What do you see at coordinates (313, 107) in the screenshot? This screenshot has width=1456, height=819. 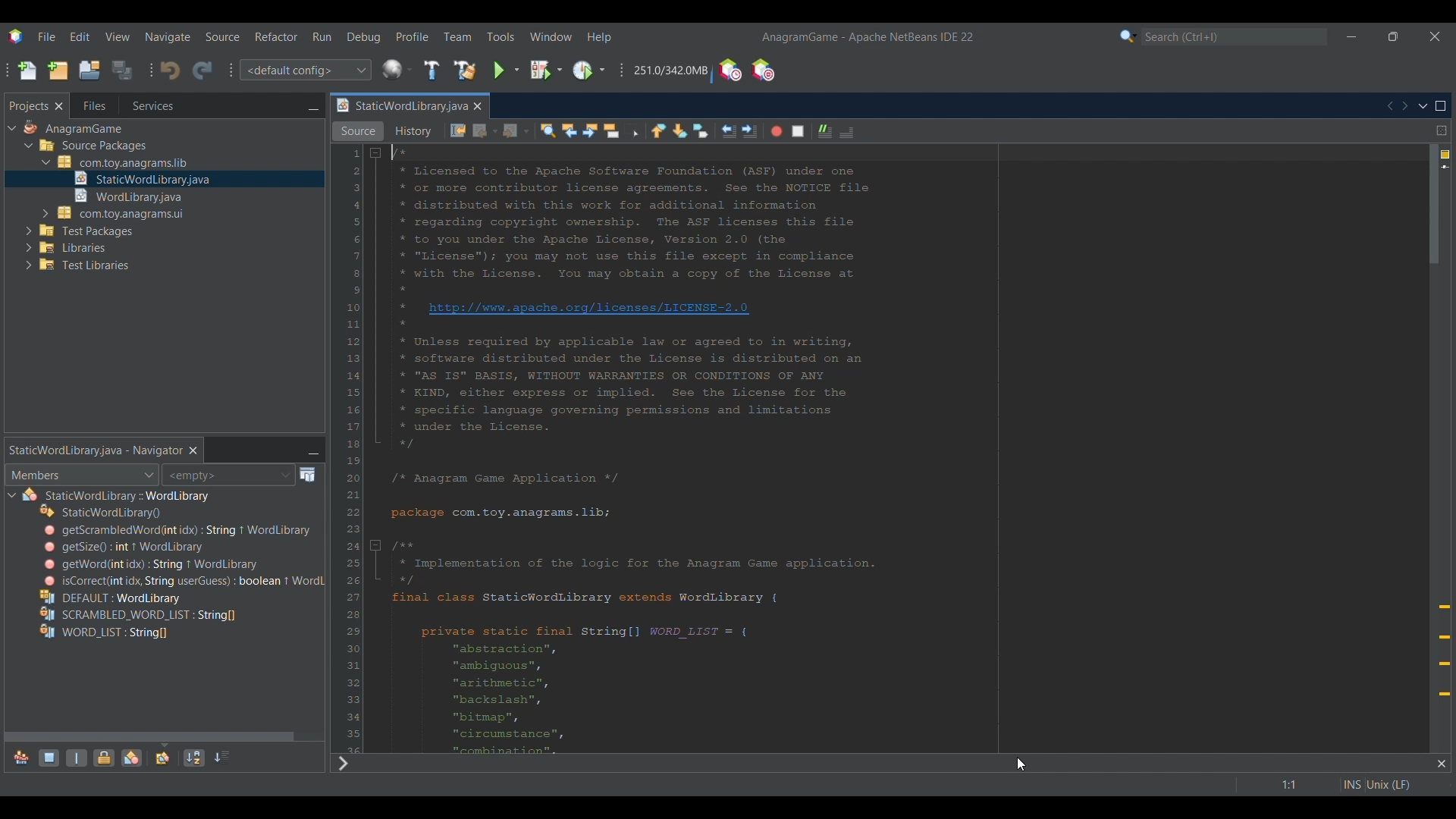 I see `Minimize window group` at bounding box center [313, 107].